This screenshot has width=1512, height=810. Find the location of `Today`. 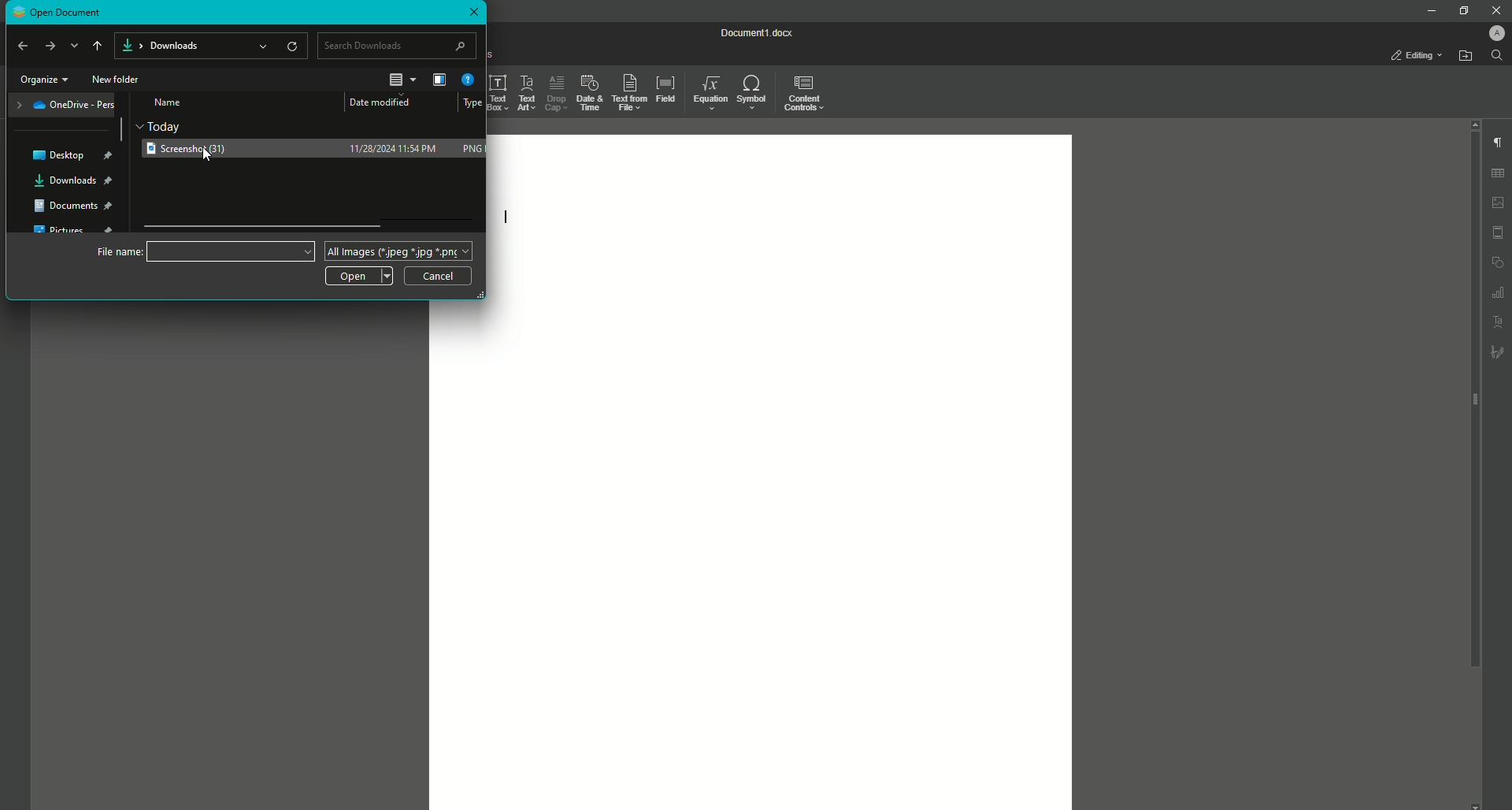

Today is located at coordinates (165, 125).